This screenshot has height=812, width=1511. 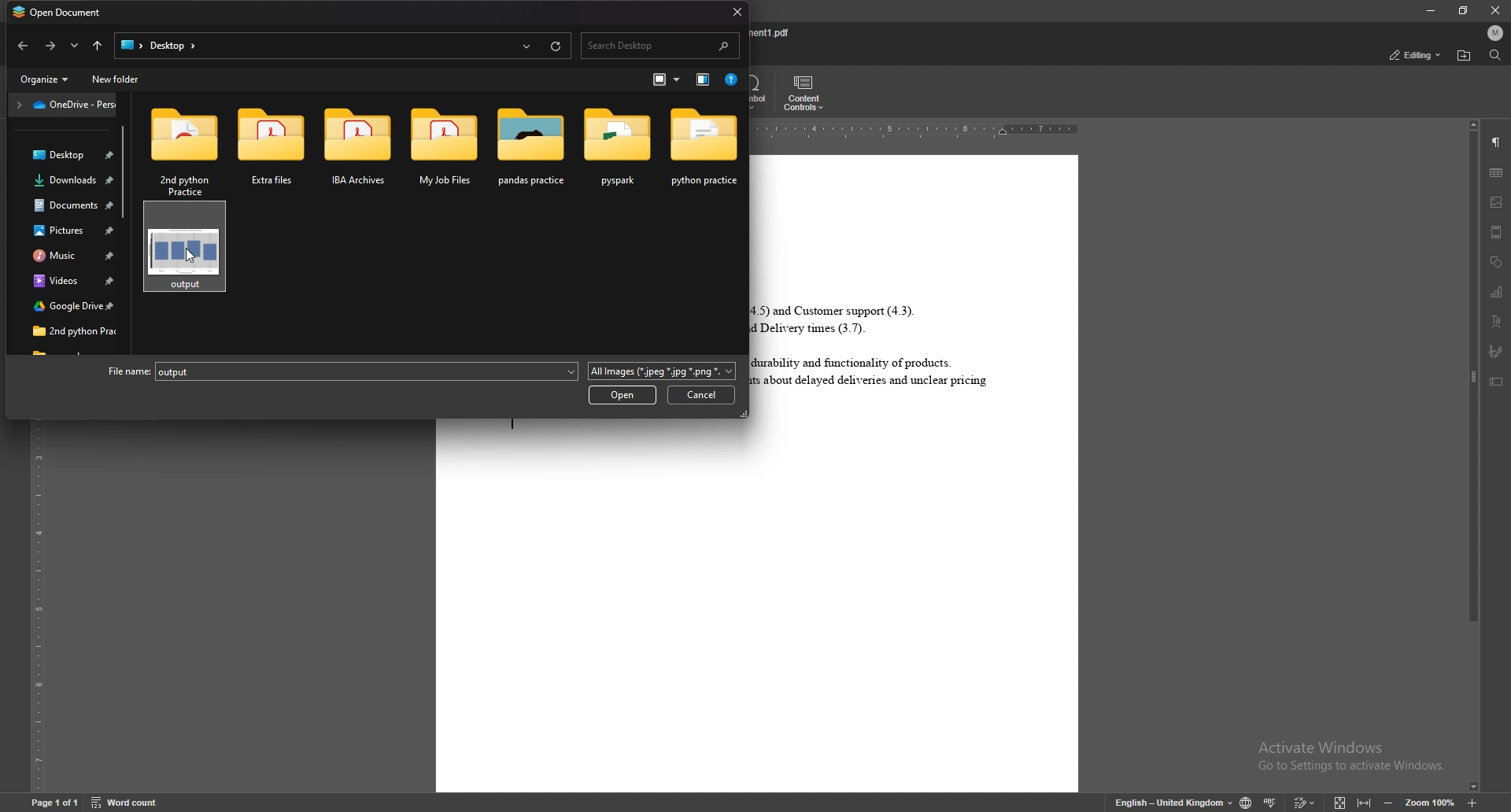 What do you see at coordinates (1497, 321) in the screenshot?
I see `text art` at bounding box center [1497, 321].